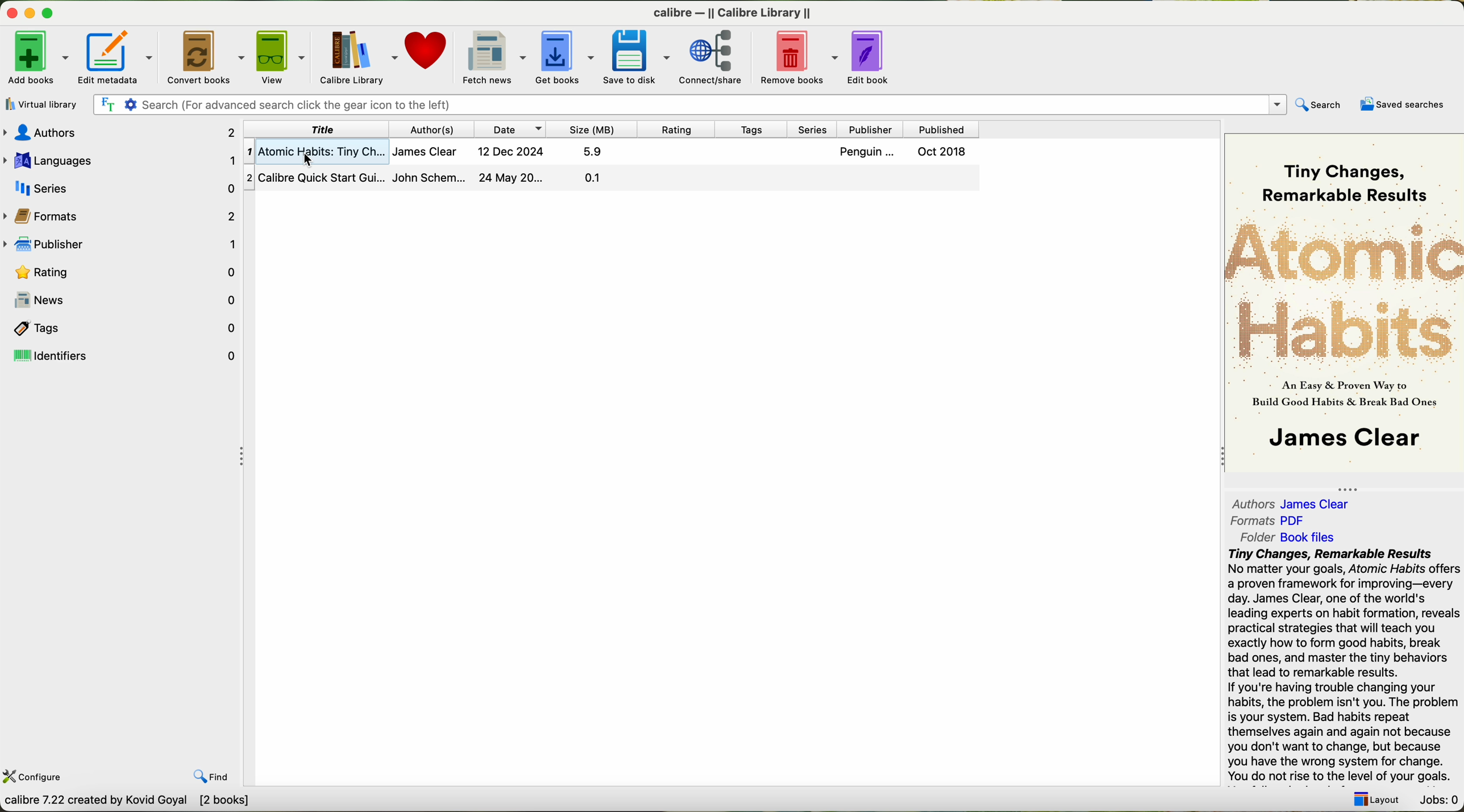 Image resolution: width=1464 pixels, height=812 pixels. Describe the element at coordinates (119, 134) in the screenshot. I see `authors` at that location.